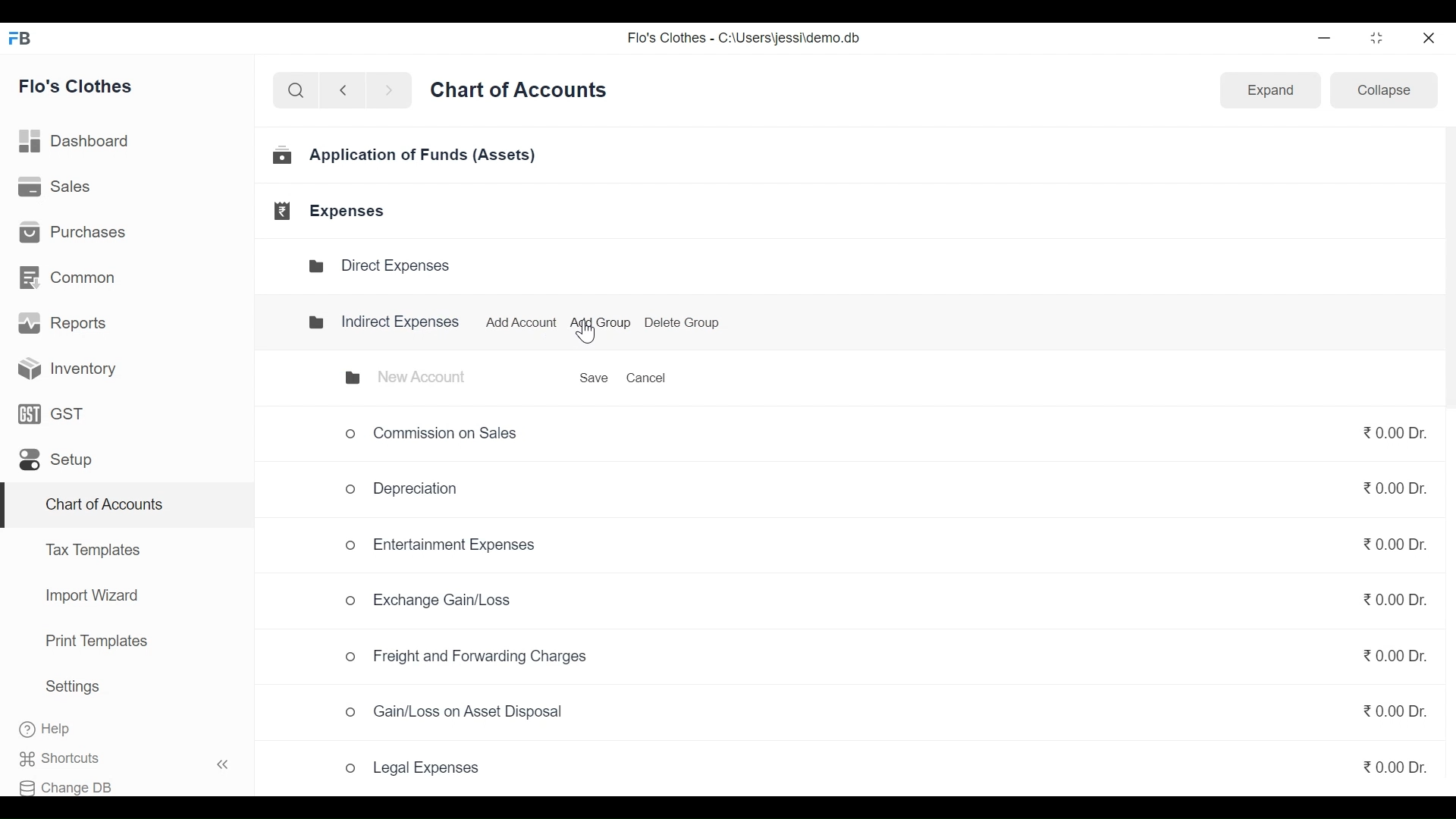 This screenshot has height=819, width=1456. I want to click on back, so click(349, 93).